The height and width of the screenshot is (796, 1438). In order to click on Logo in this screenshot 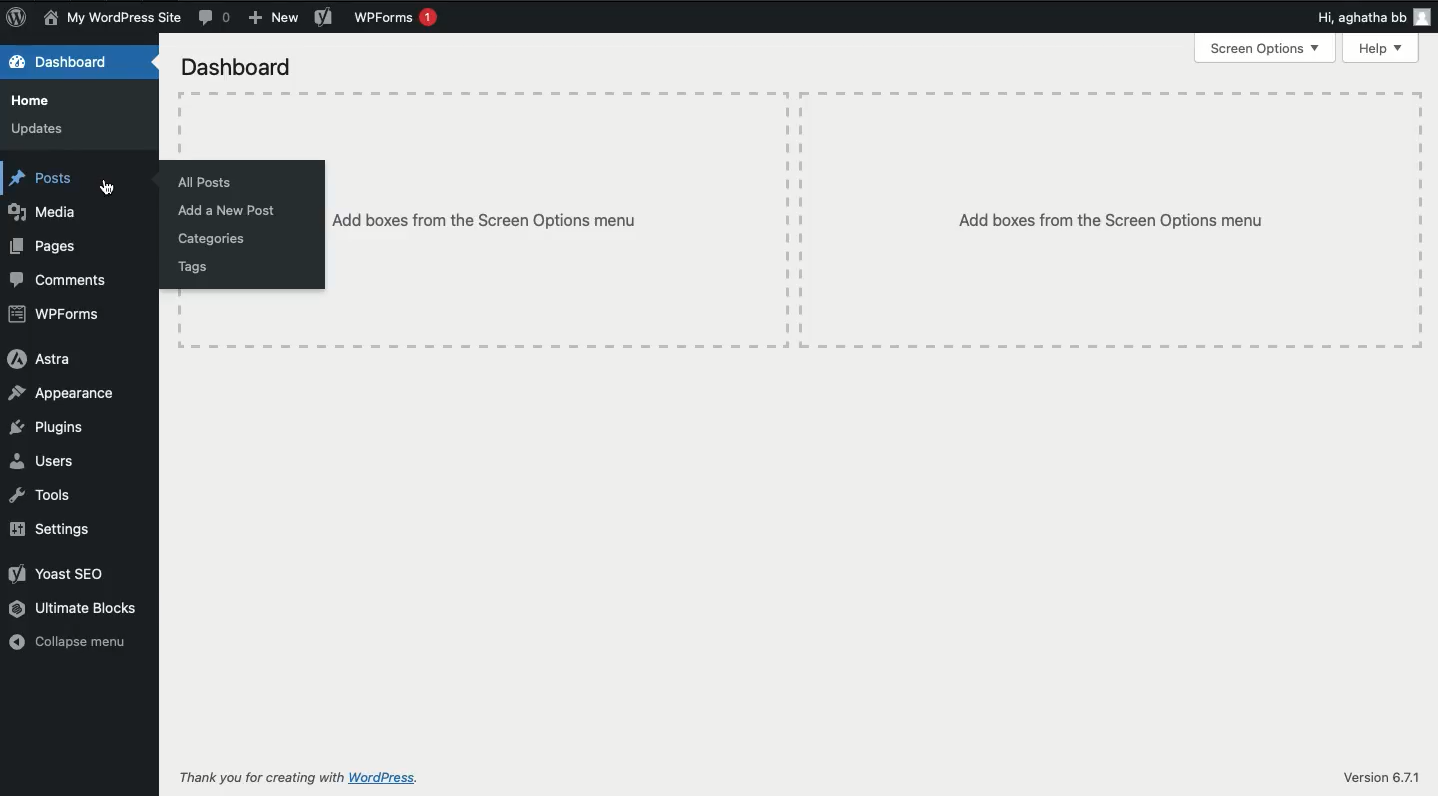, I will do `click(17, 18)`.